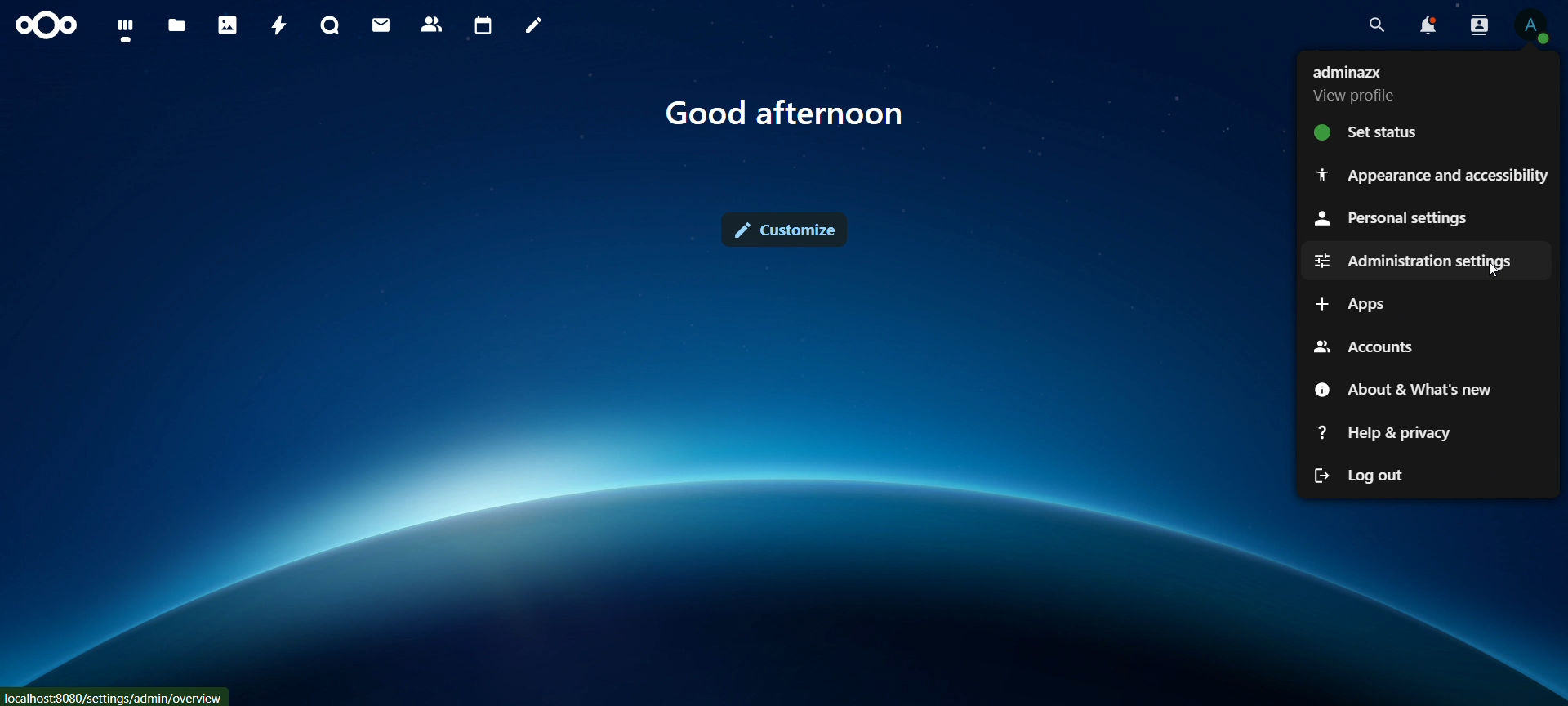 The image size is (1568, 706). Describe the element at coordinates (1537, 26) in the screenshot. I see `View Profile` at that location.